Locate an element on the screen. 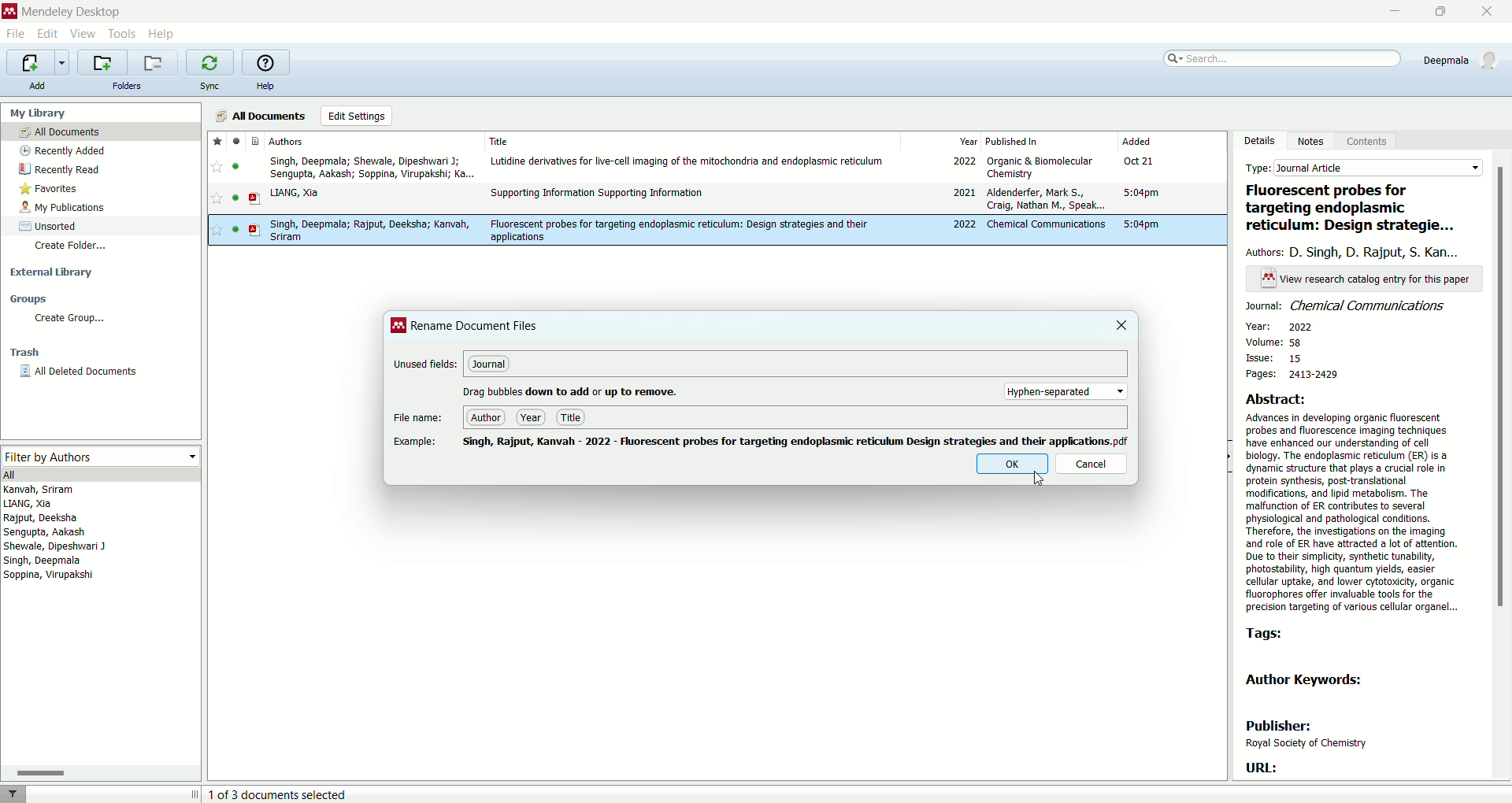 The width and height of the screenshot is (1512, 803). filter is located at coordinates (14, 792).